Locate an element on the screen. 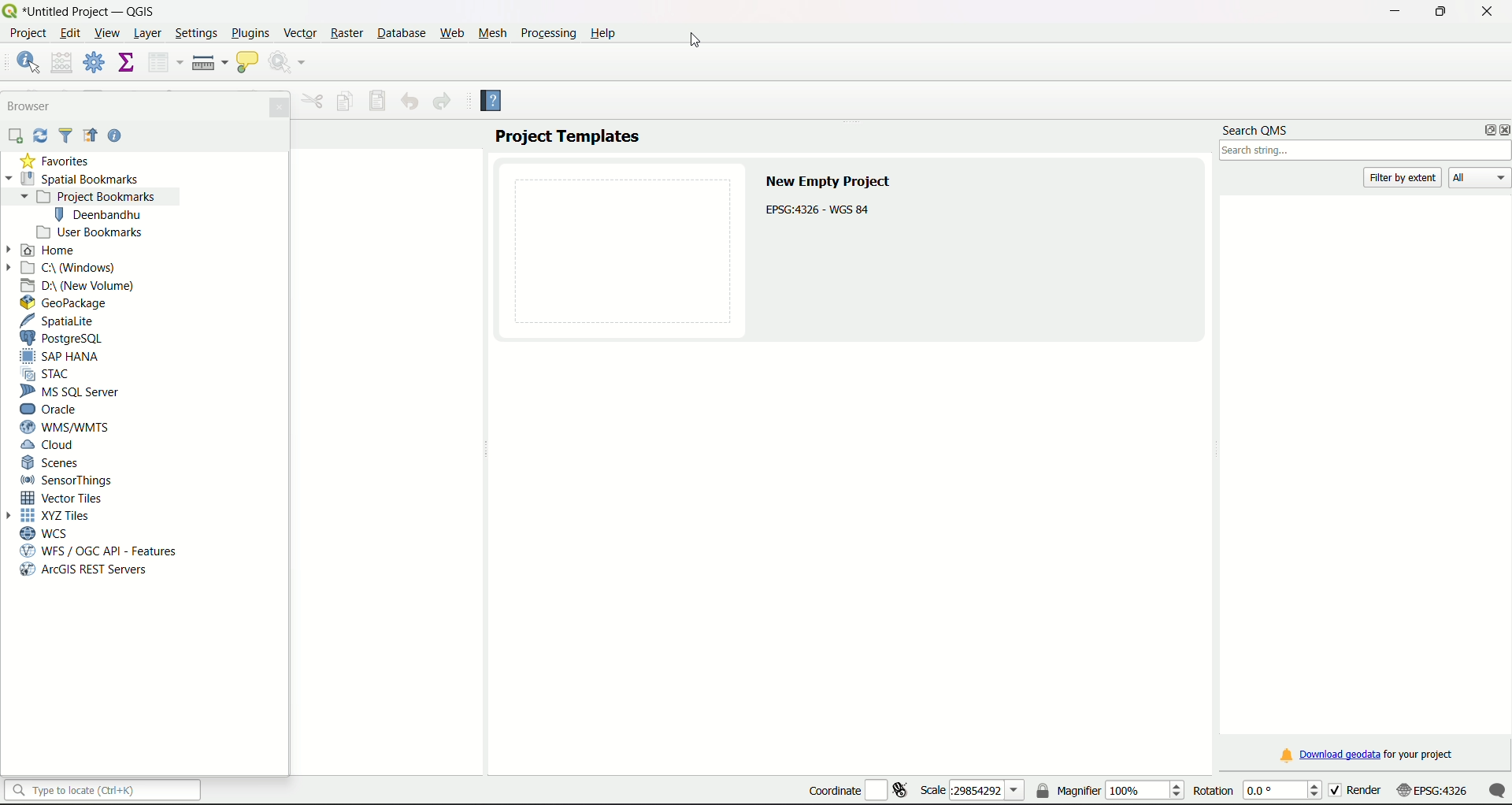 This screenshot has width=1512, height=805. Spatial Bookmarks is located at coordinates (79, 178).